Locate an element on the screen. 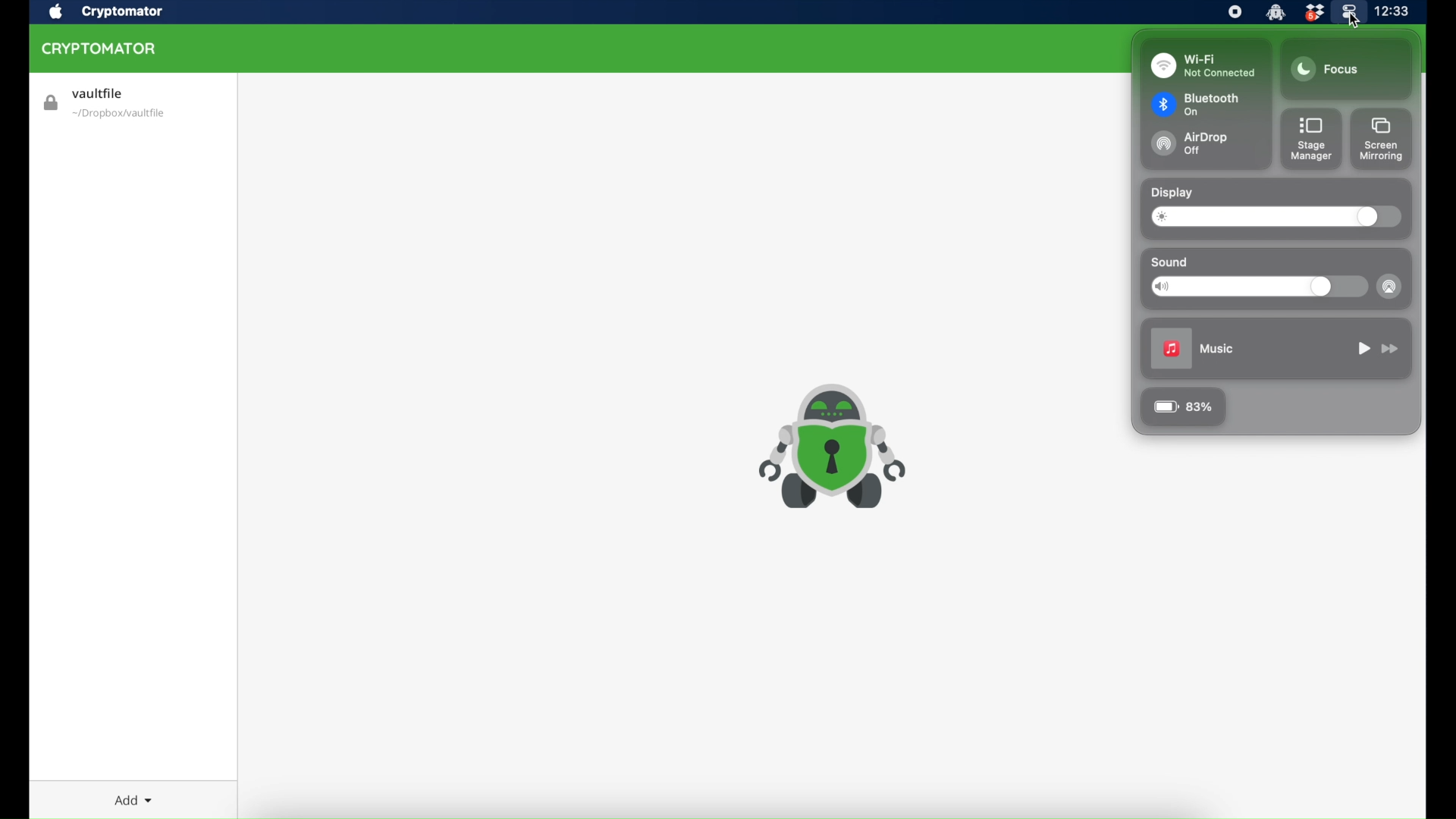  time is located at coordinates (1393, 11).